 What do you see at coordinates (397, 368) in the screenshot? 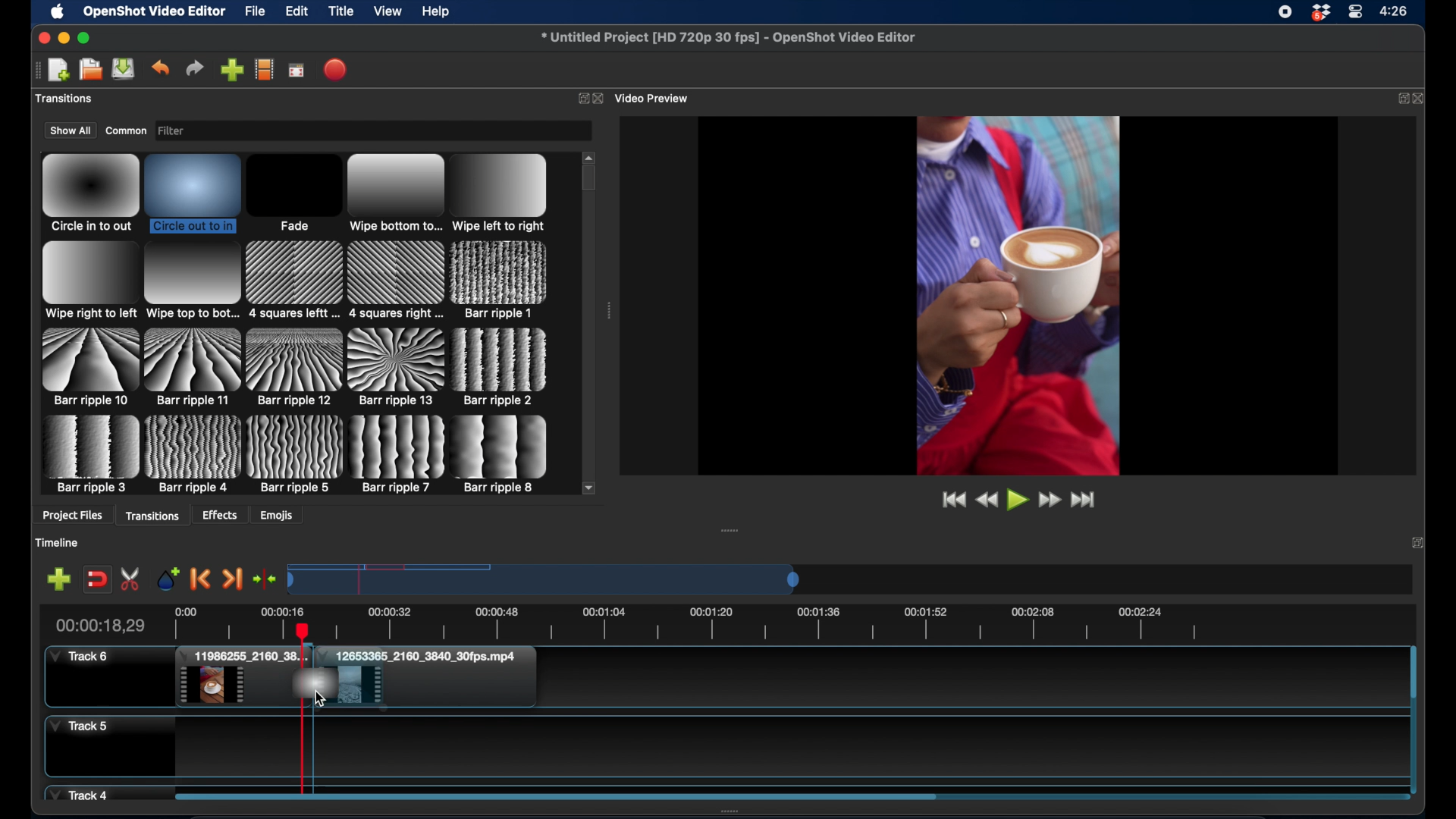
I see `transition` at bounding box center [397, 368].